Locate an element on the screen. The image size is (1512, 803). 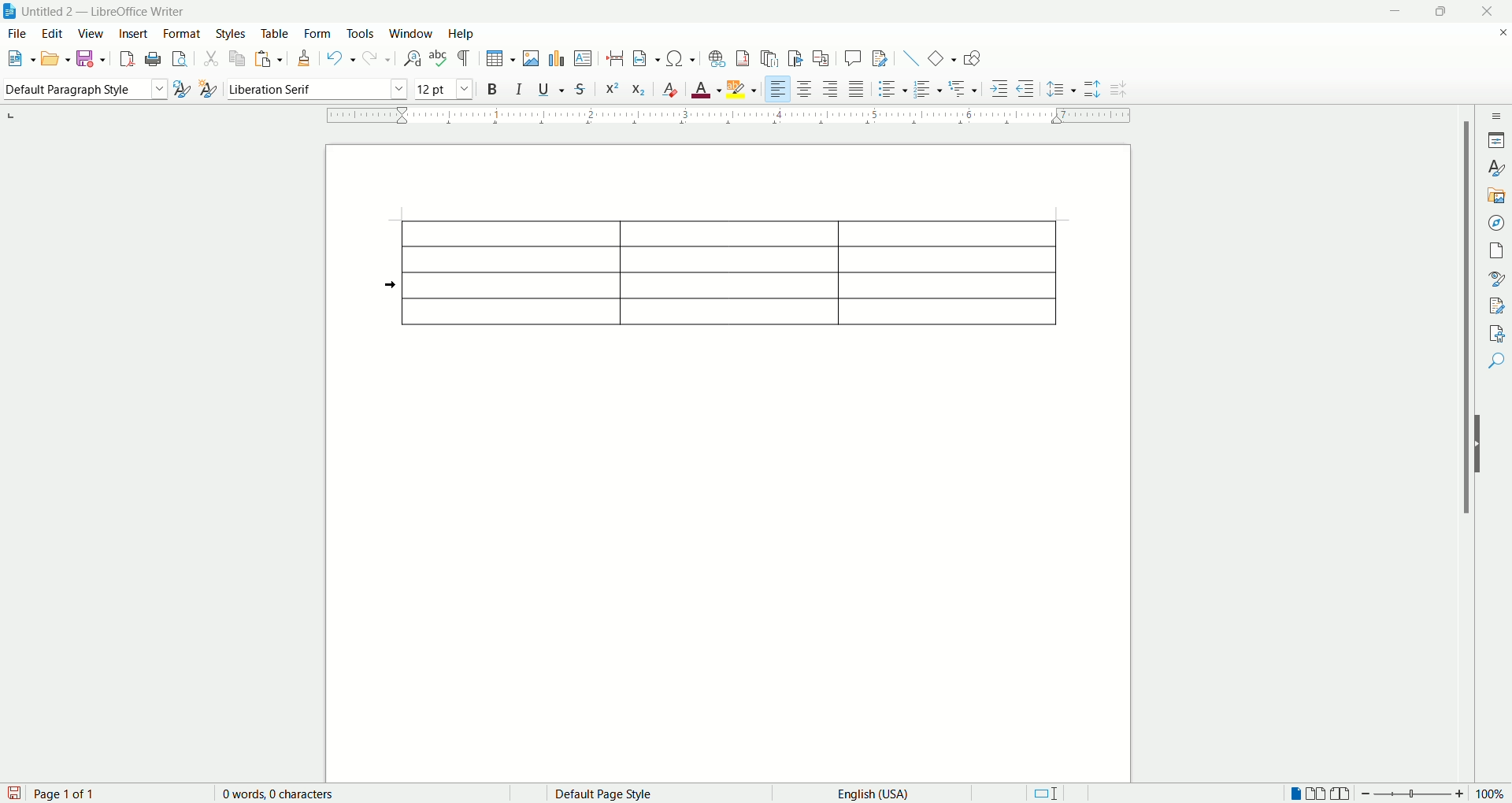
minimize is located at coordinates (1392, 13).